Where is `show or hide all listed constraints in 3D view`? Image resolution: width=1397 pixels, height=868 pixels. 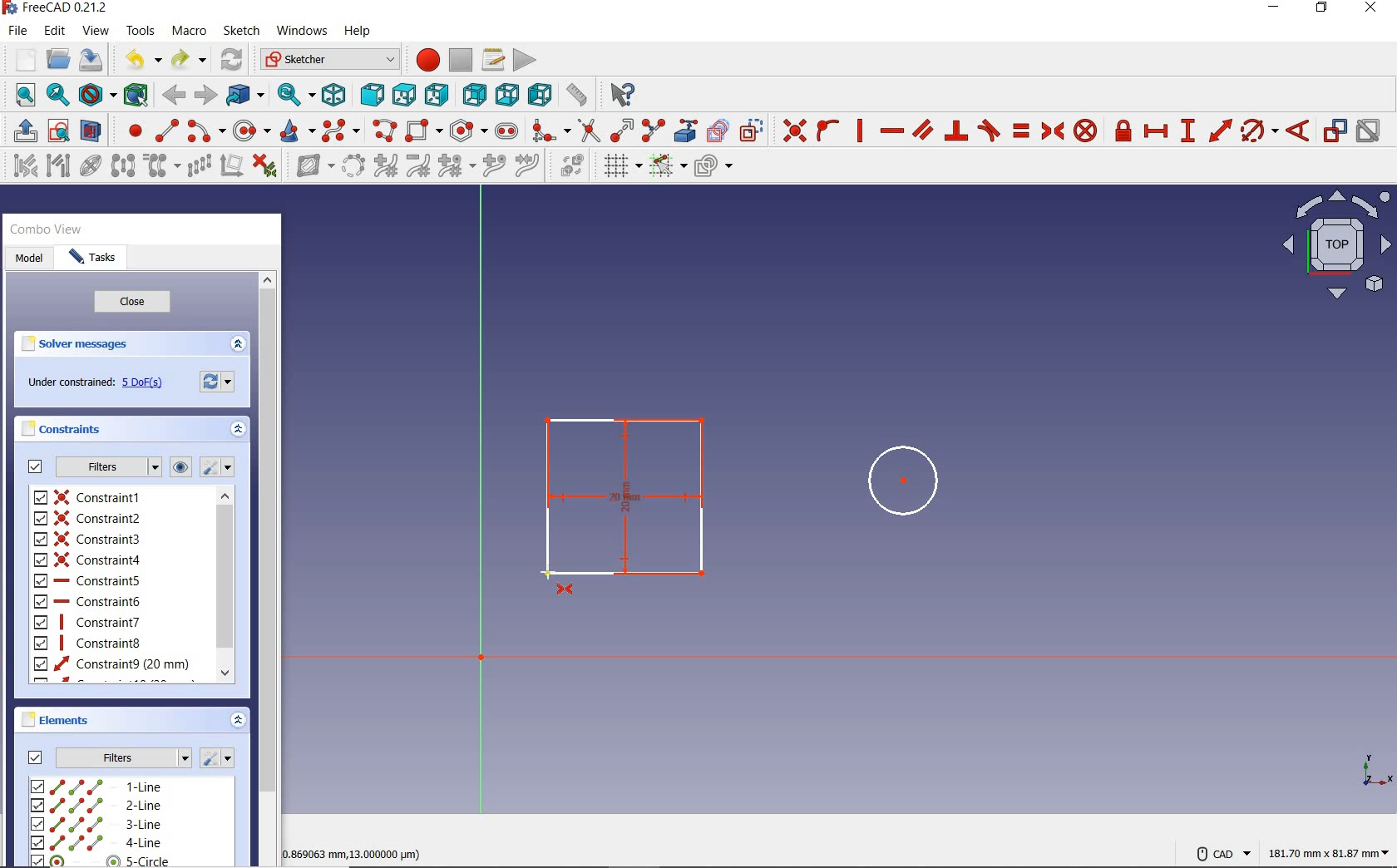
show or hide all listed constraints in 3D view is located at coordinates (181, 466).